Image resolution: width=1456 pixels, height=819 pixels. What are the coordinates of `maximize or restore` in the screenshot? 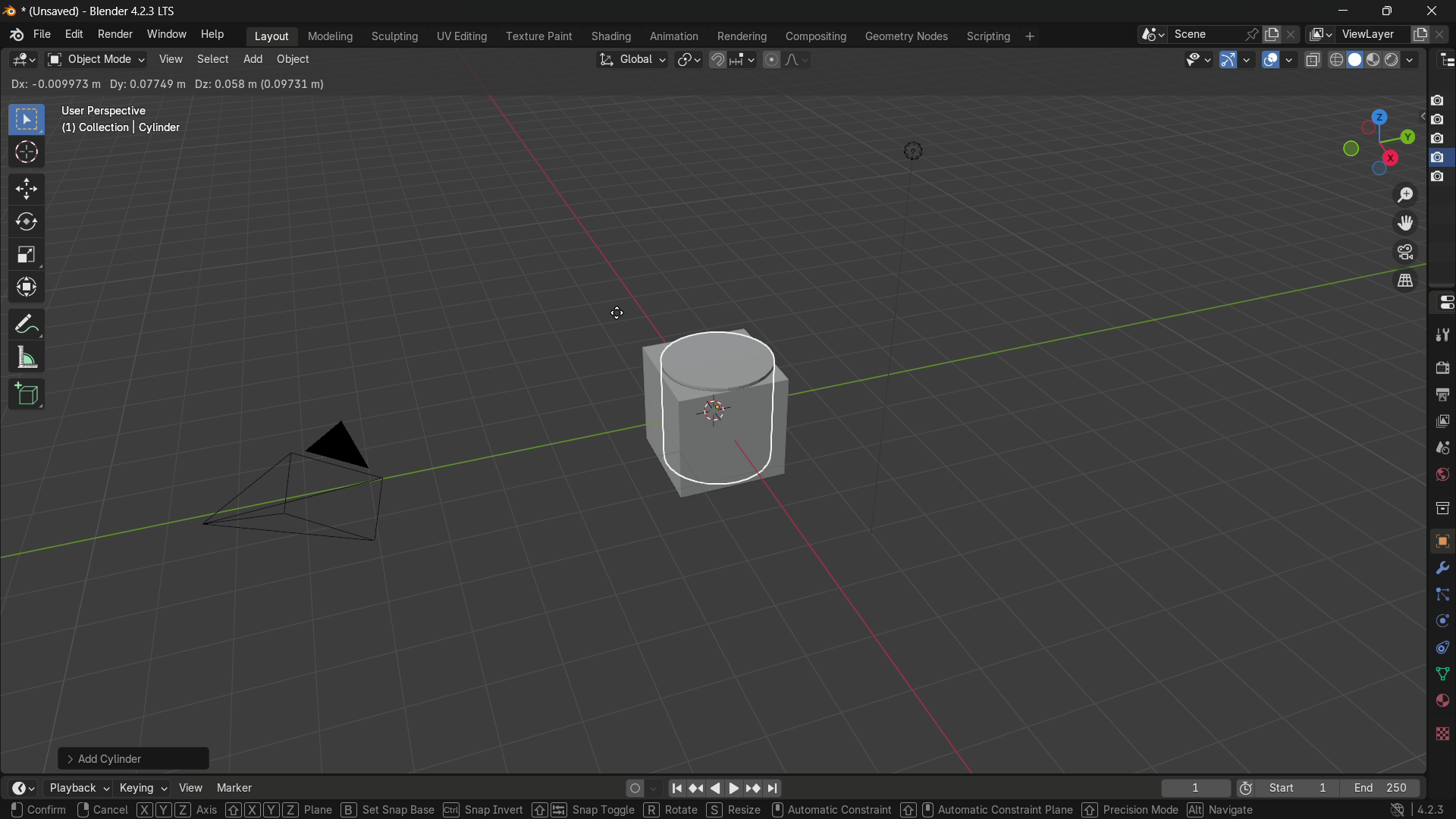 It's located at (1386, 11).